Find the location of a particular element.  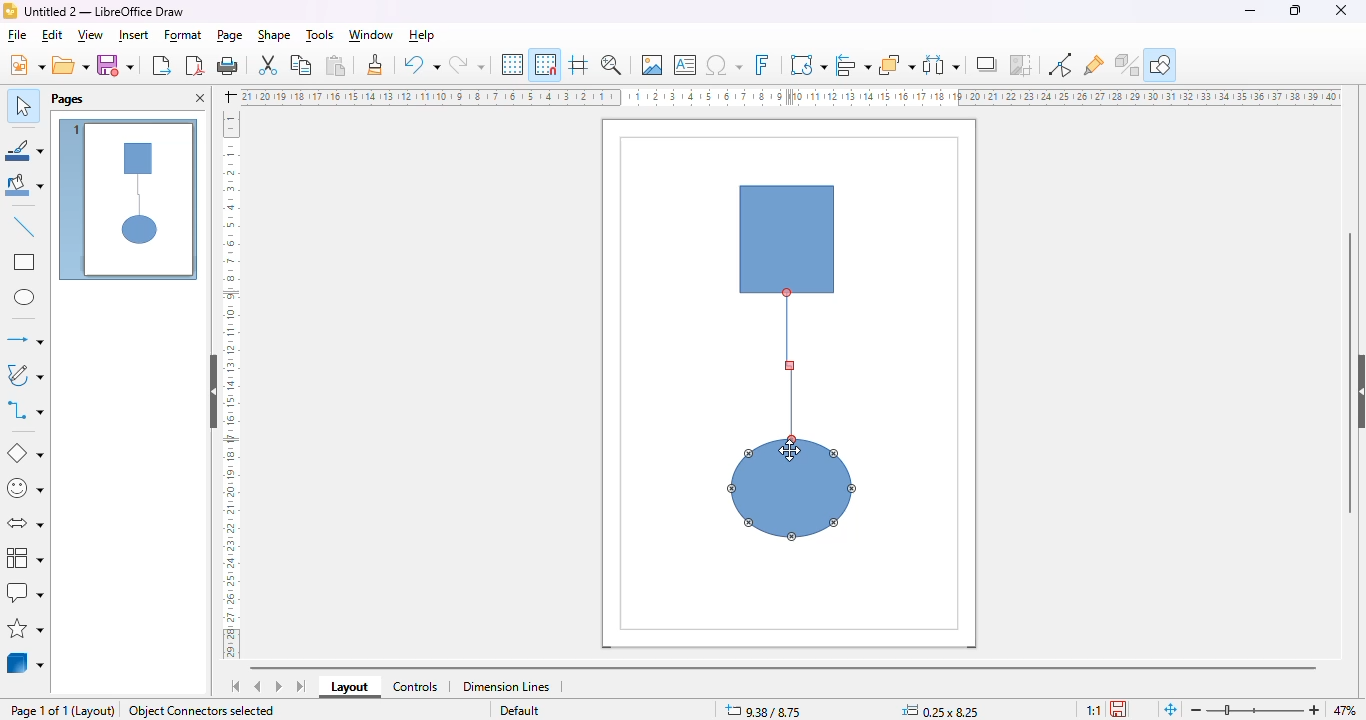

zoom & pan is located at coordinates (611, 64).